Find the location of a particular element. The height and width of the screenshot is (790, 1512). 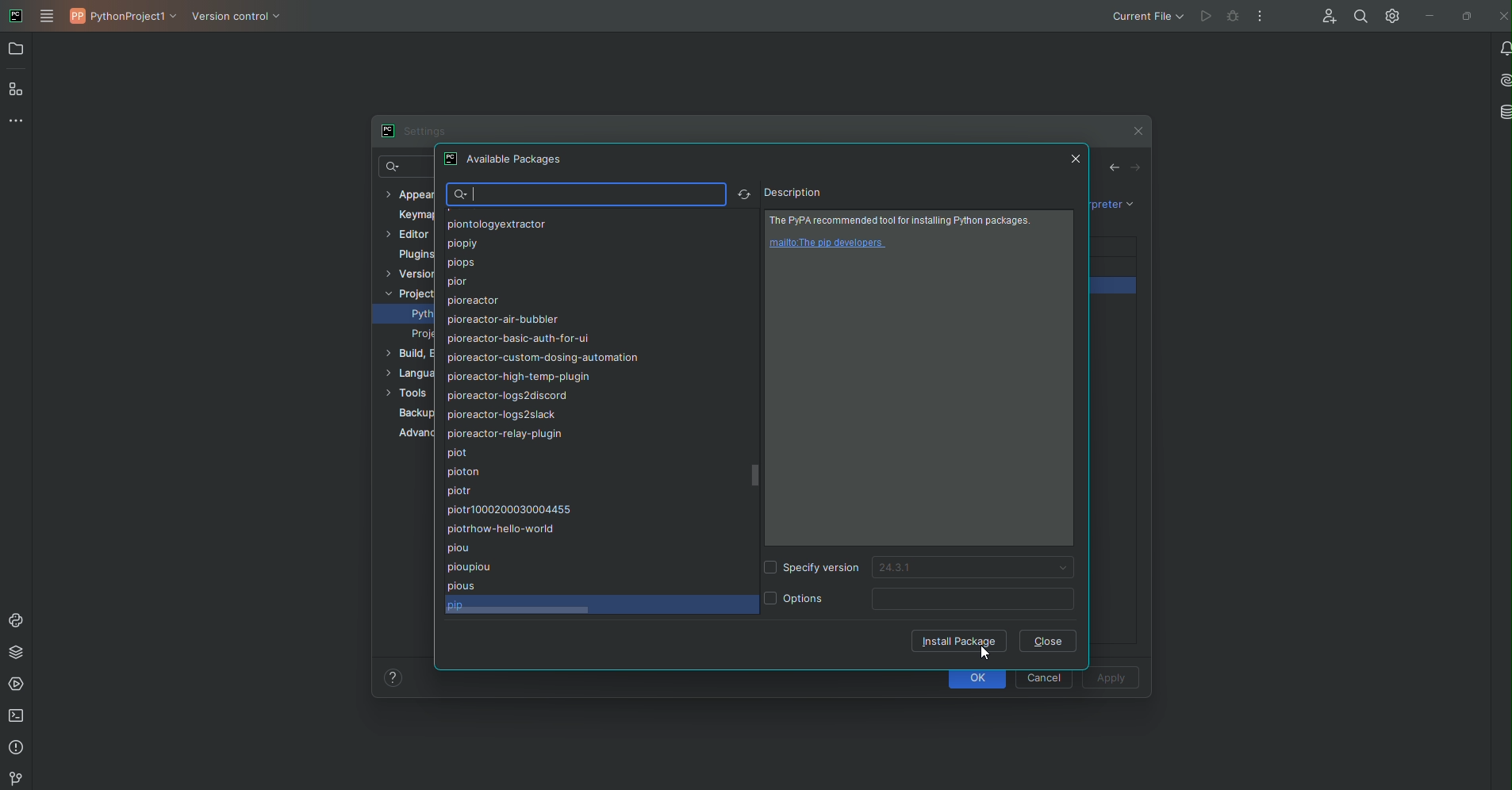

More Options is located at coordinates (1258, 18).